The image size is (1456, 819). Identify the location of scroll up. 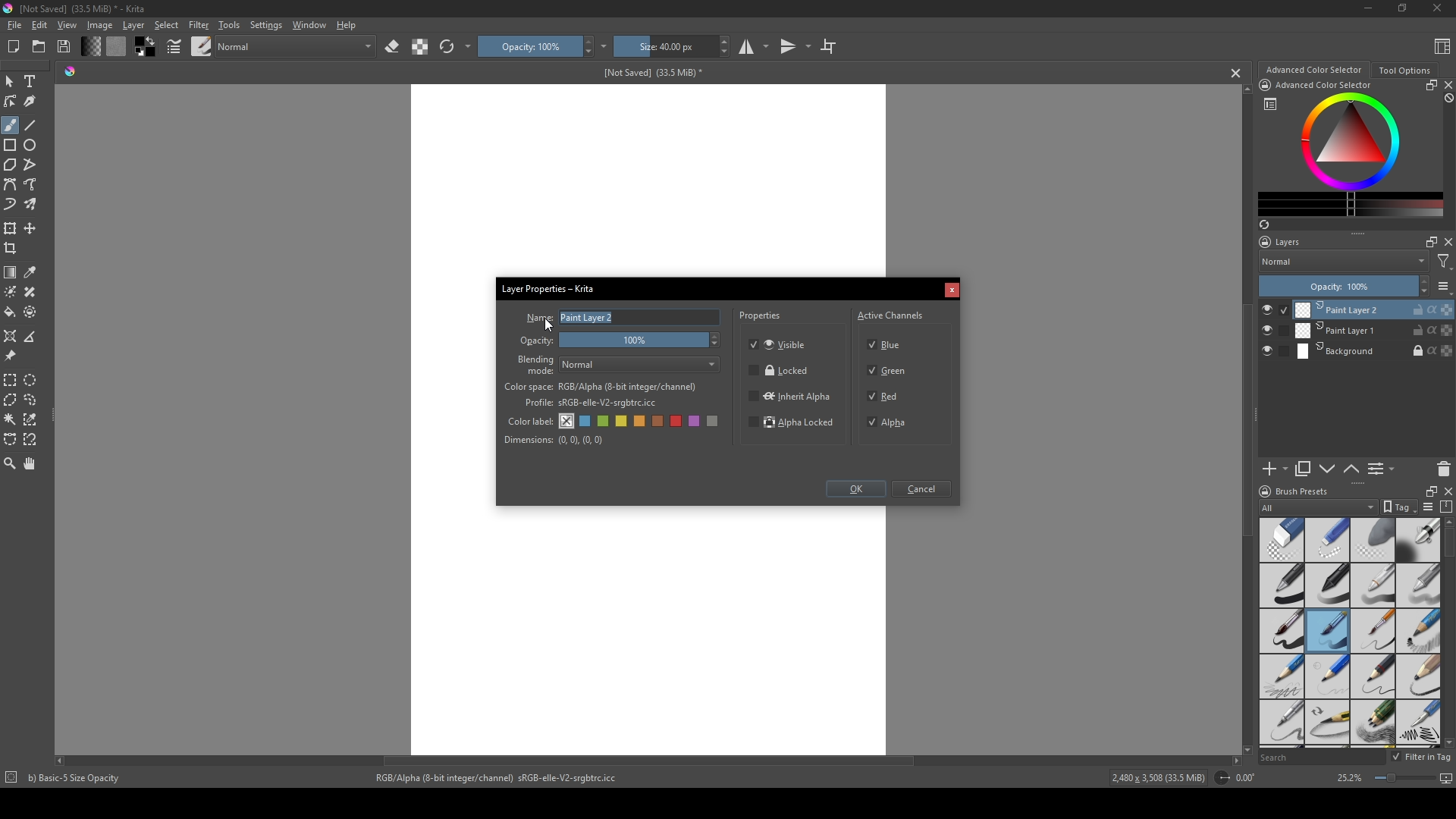
(1244, 89).